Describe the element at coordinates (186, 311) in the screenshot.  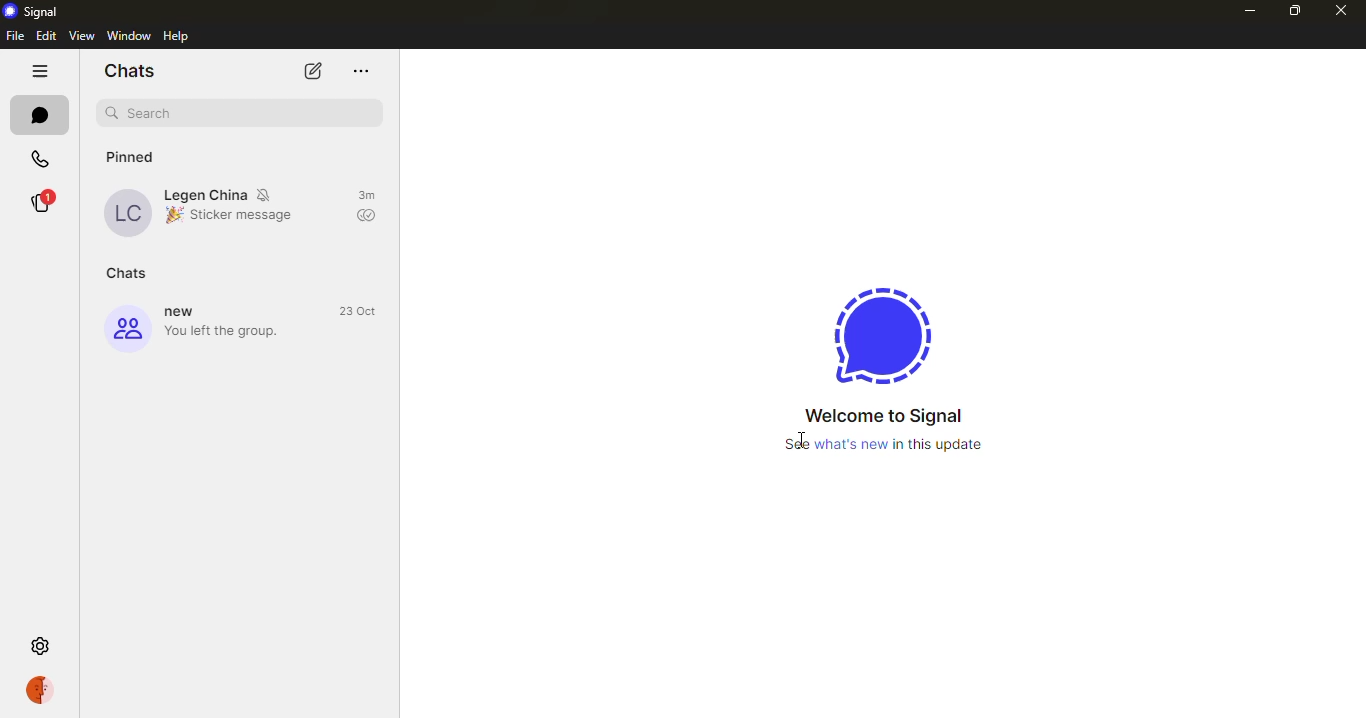
I see `new` at that location.